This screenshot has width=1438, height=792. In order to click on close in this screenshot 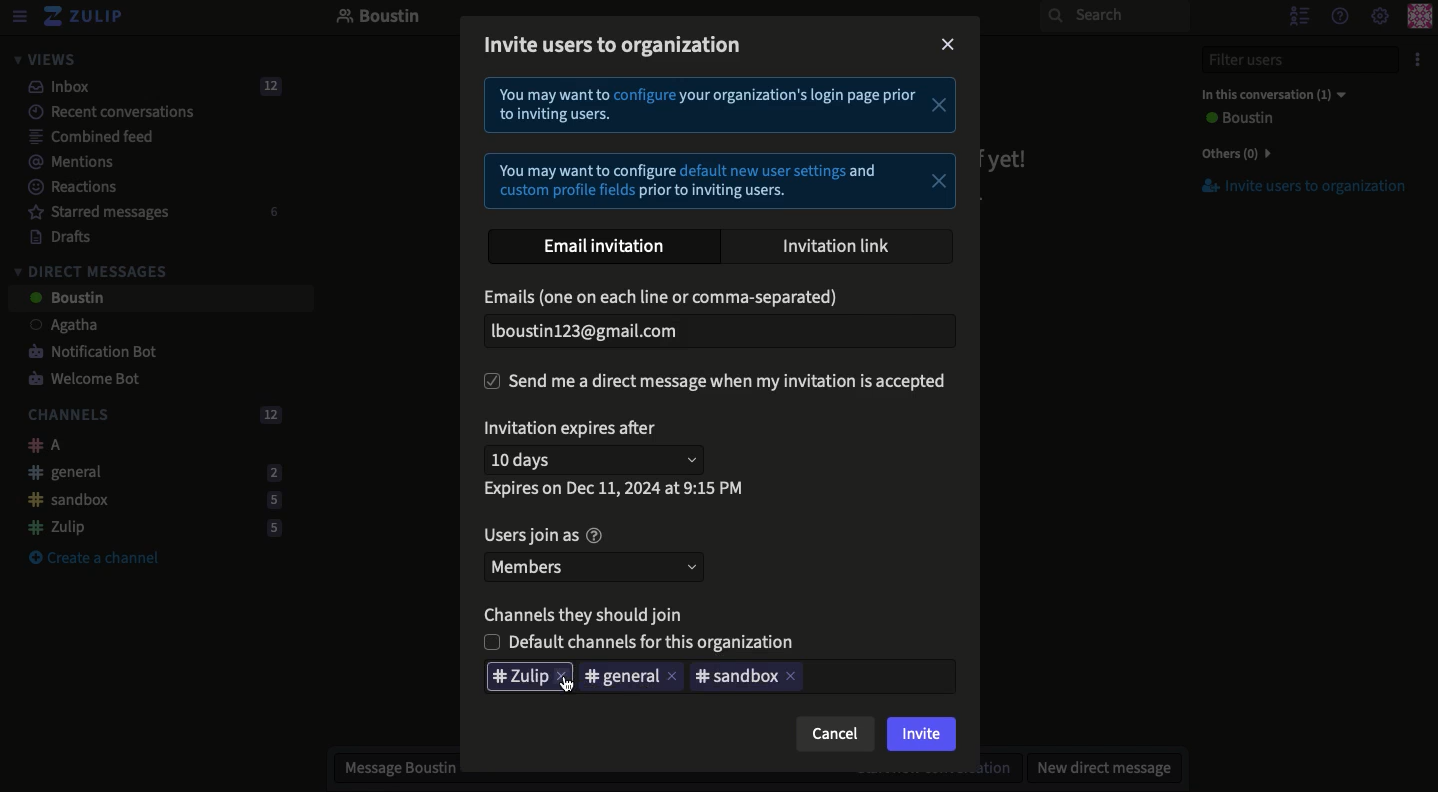, I will do `click(566, 678)`.